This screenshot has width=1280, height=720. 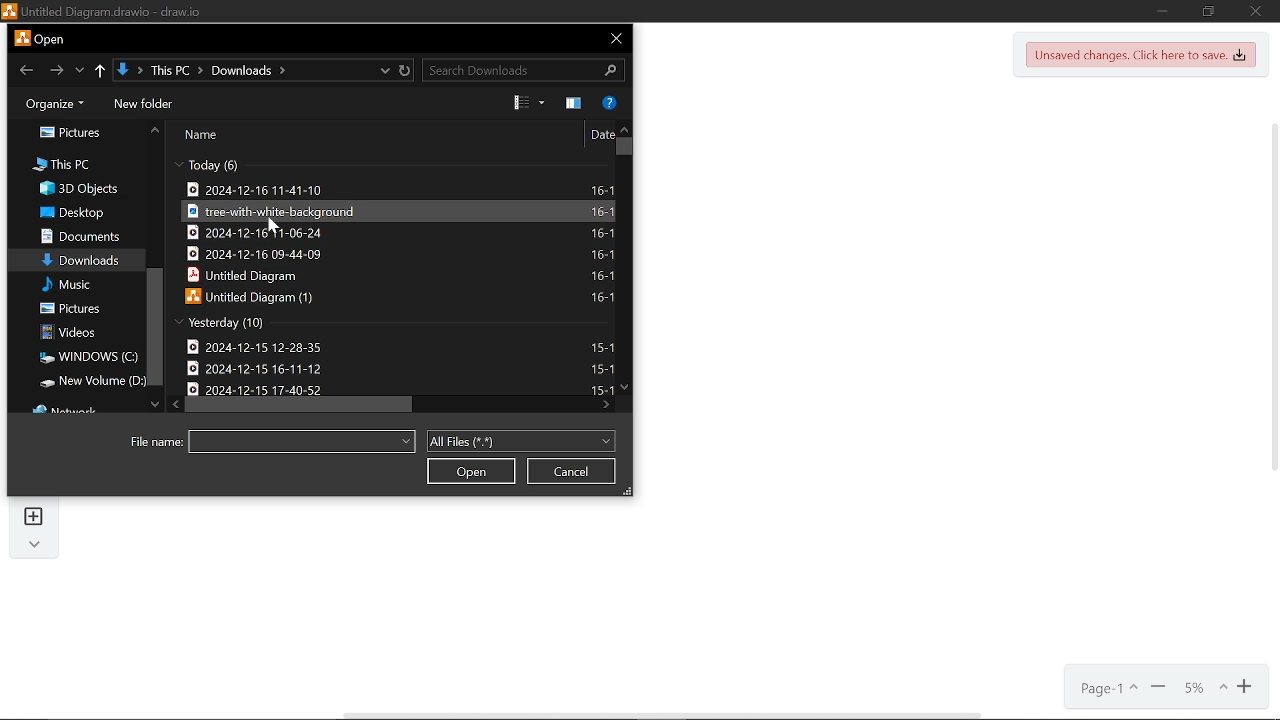 What do you see at coordinates (63, 166) in the screenshot?
I see `this pc` at bounding box center [63, 166].